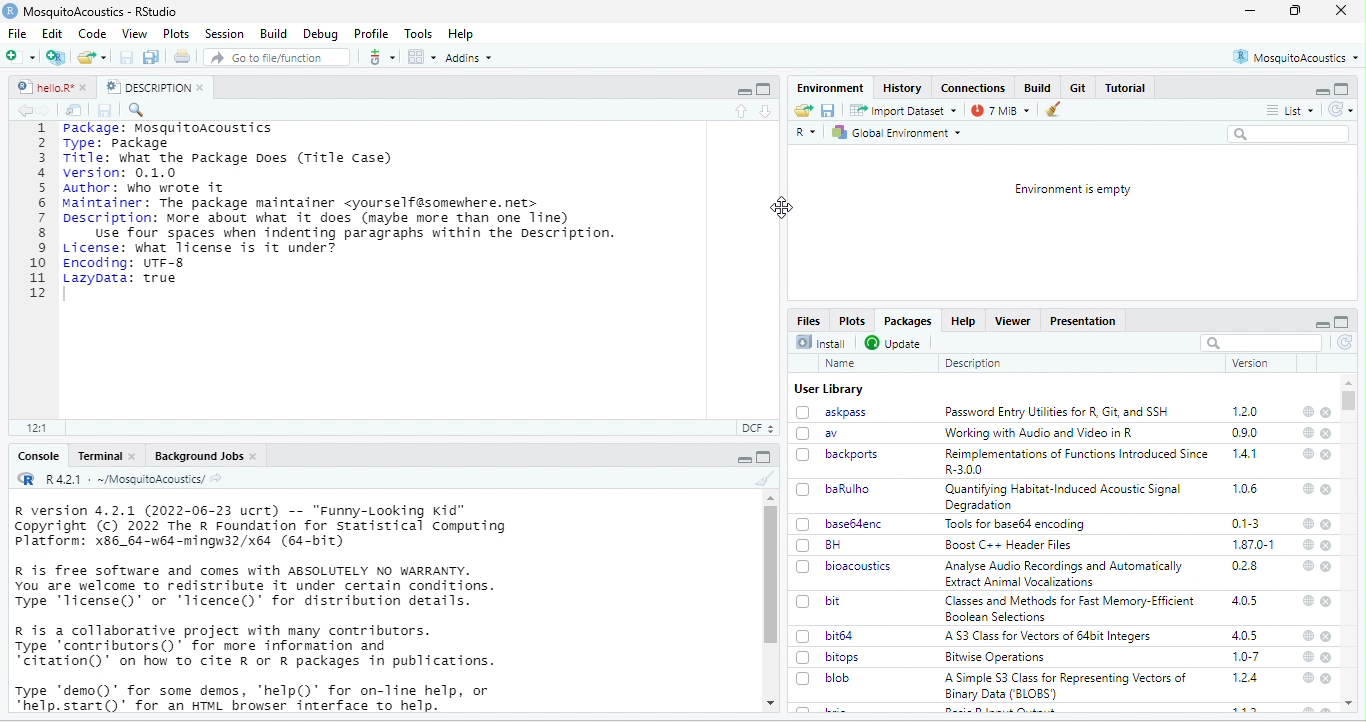 The width and height of the screenshot is (1366, 722). I want to click on help, so click(1308, 637).